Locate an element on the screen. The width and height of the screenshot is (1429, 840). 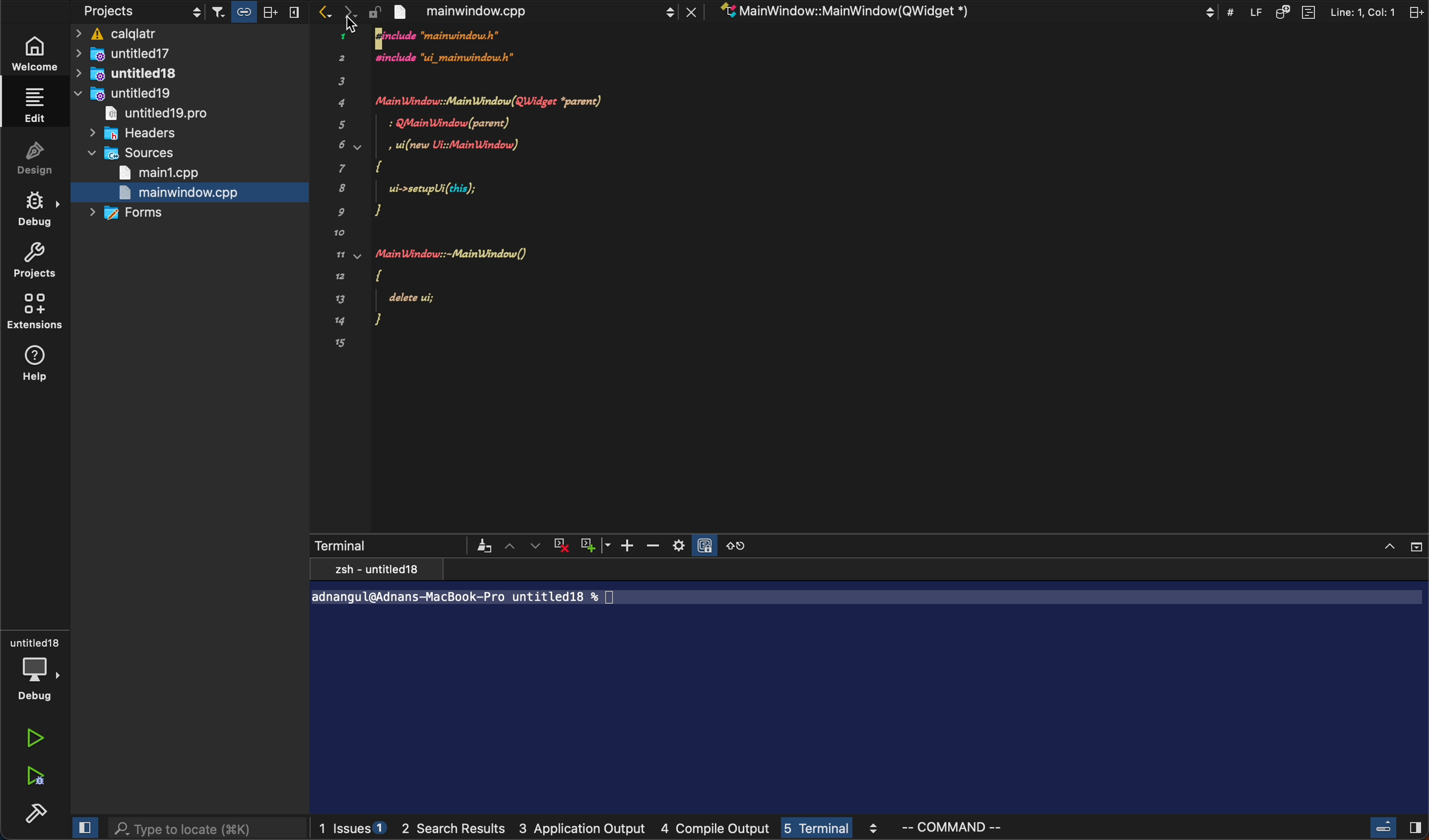
curser is located at coordinates (360, 19).